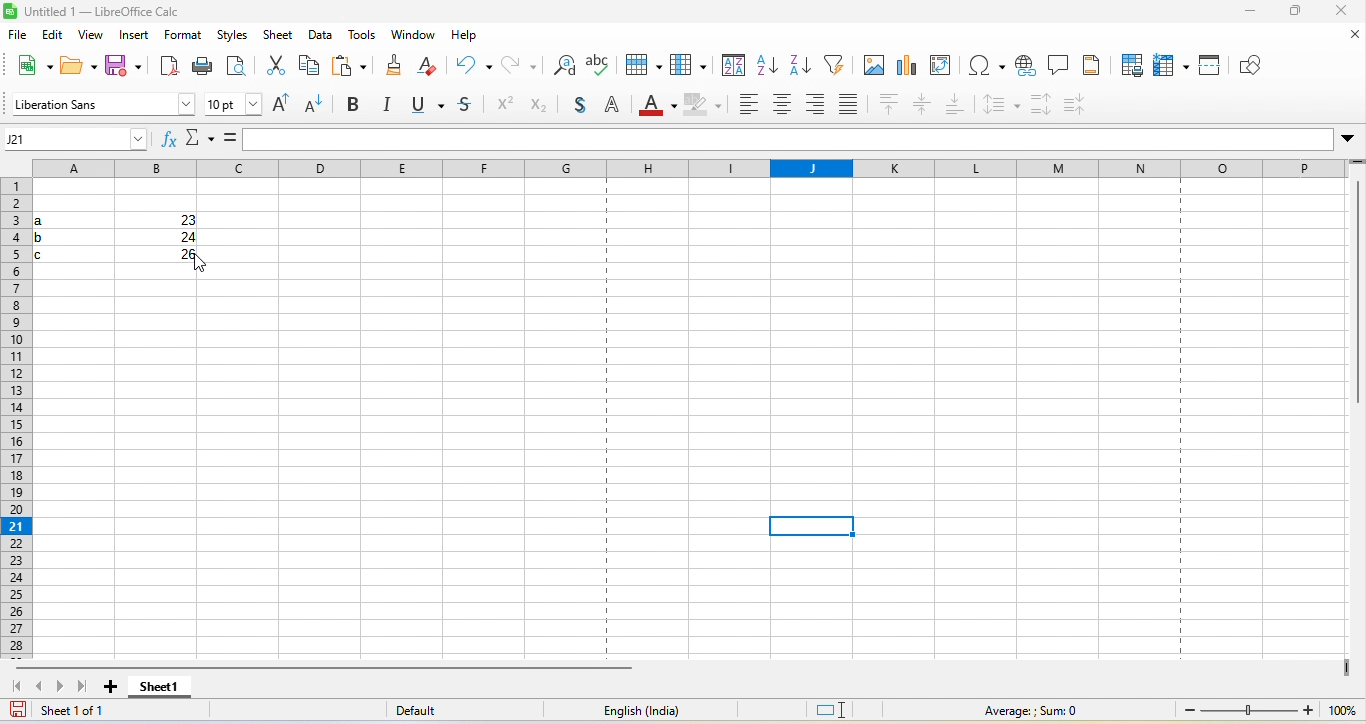  What do you see at coordinates (1077, 105) in the screenshot?
I see `decrease paragraph spacing` at bounding box center [1077, 105].